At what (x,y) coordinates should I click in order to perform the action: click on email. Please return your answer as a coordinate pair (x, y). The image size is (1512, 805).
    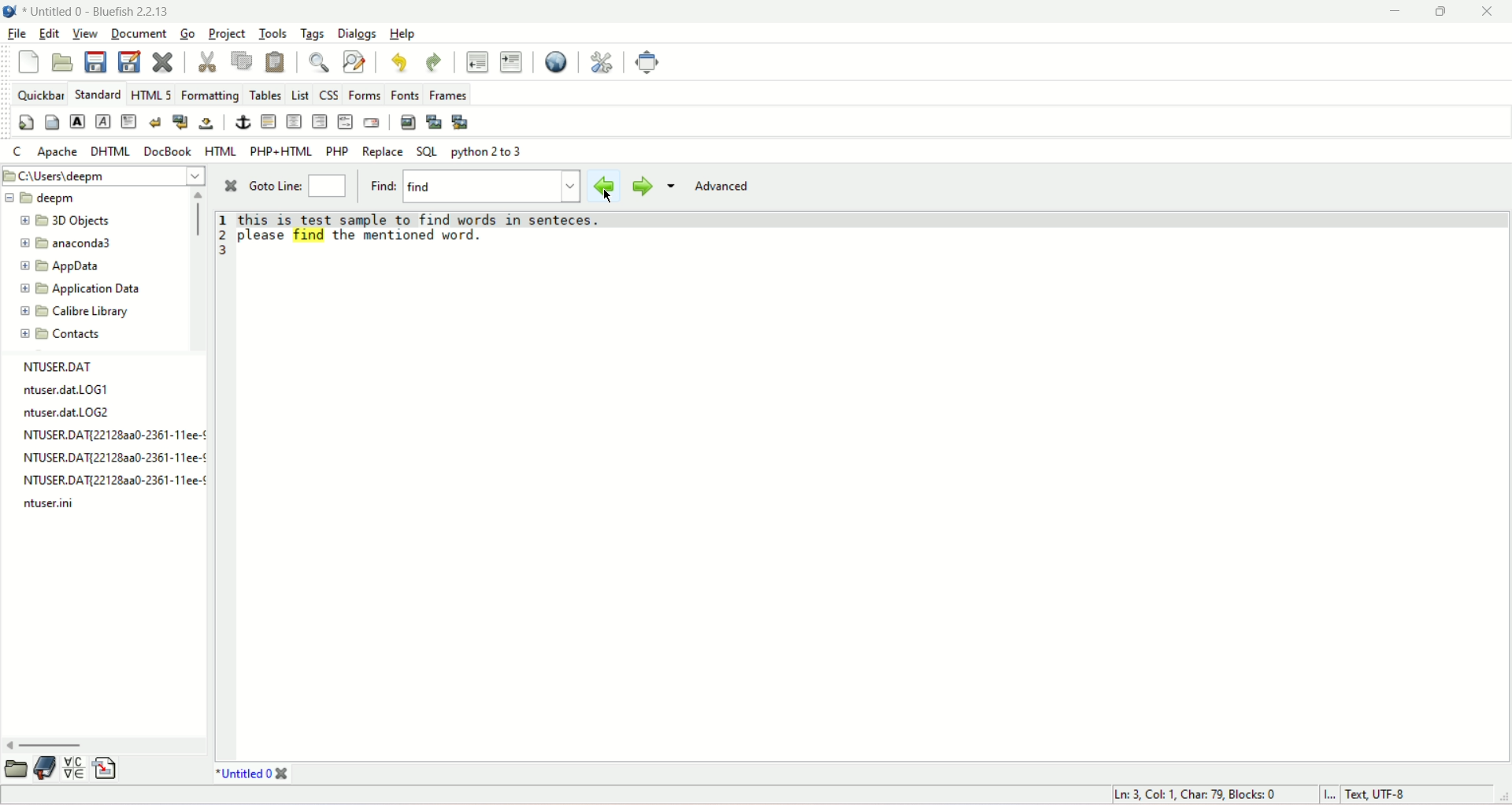
    Looking at the image, I should click on (371, 122).